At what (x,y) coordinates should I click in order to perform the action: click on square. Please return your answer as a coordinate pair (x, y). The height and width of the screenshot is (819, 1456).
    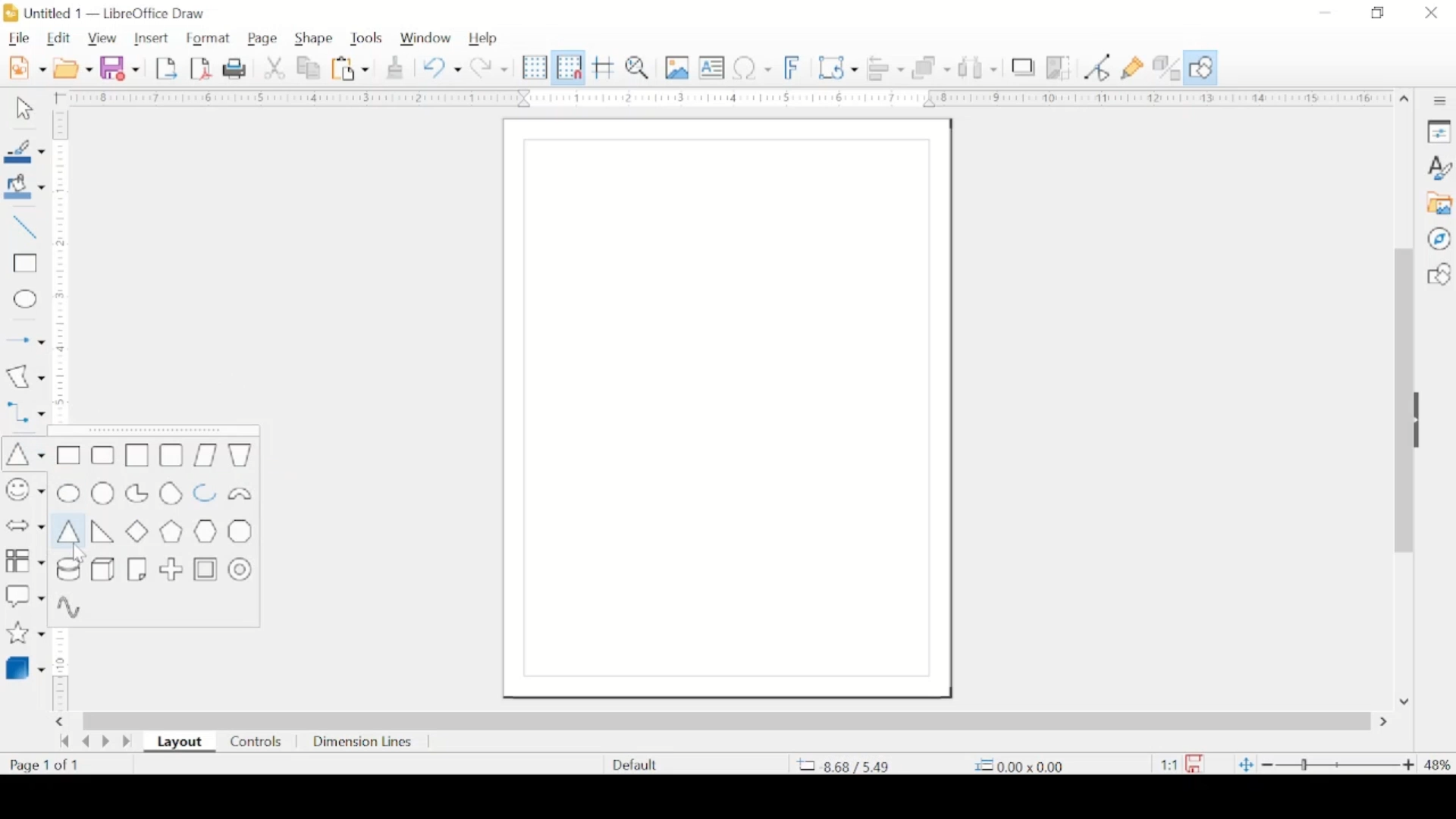
    Looking at the image, I should click on (138, 456).